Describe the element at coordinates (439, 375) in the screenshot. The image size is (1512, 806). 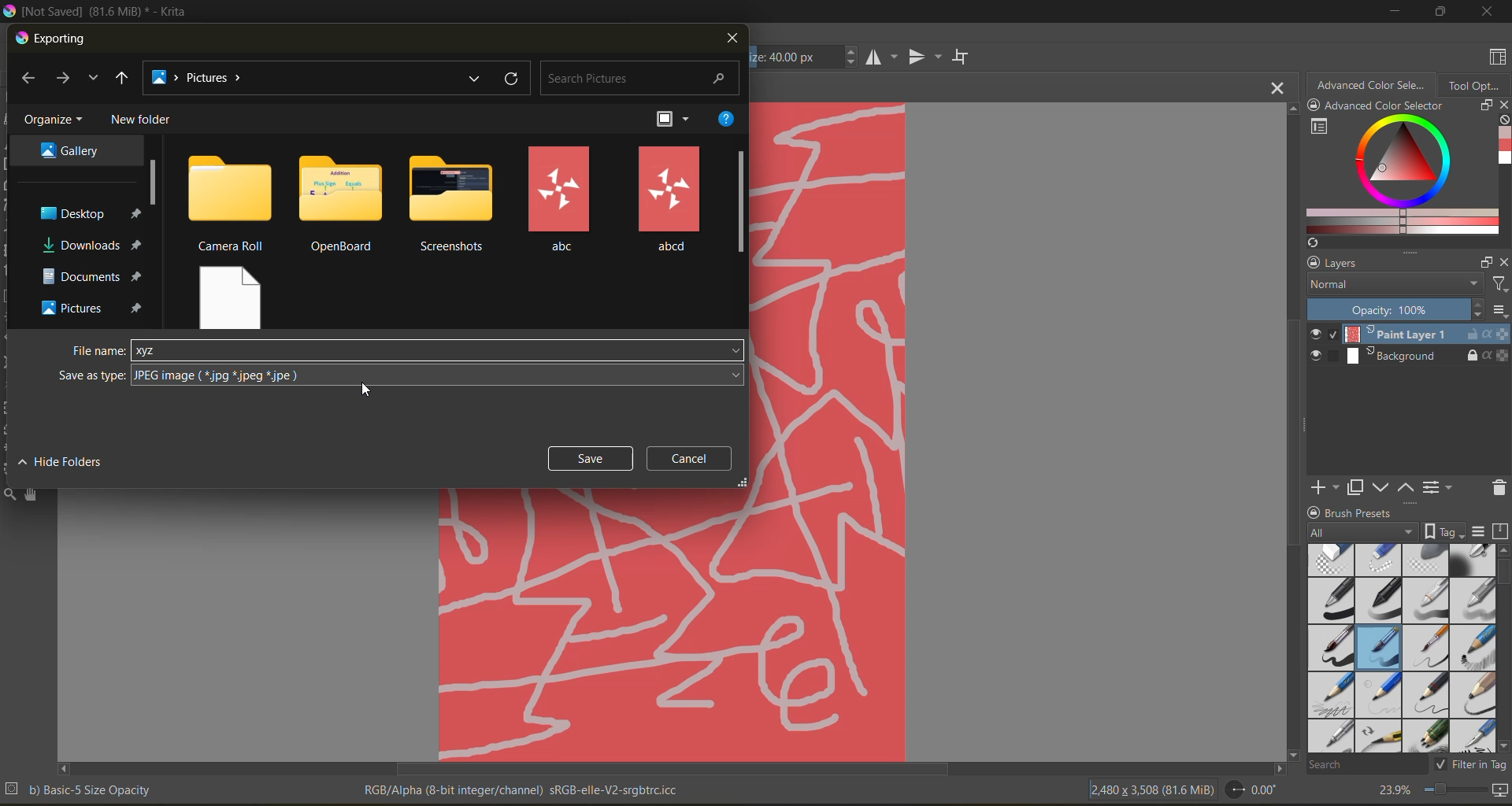
I see `save as type` at that location.